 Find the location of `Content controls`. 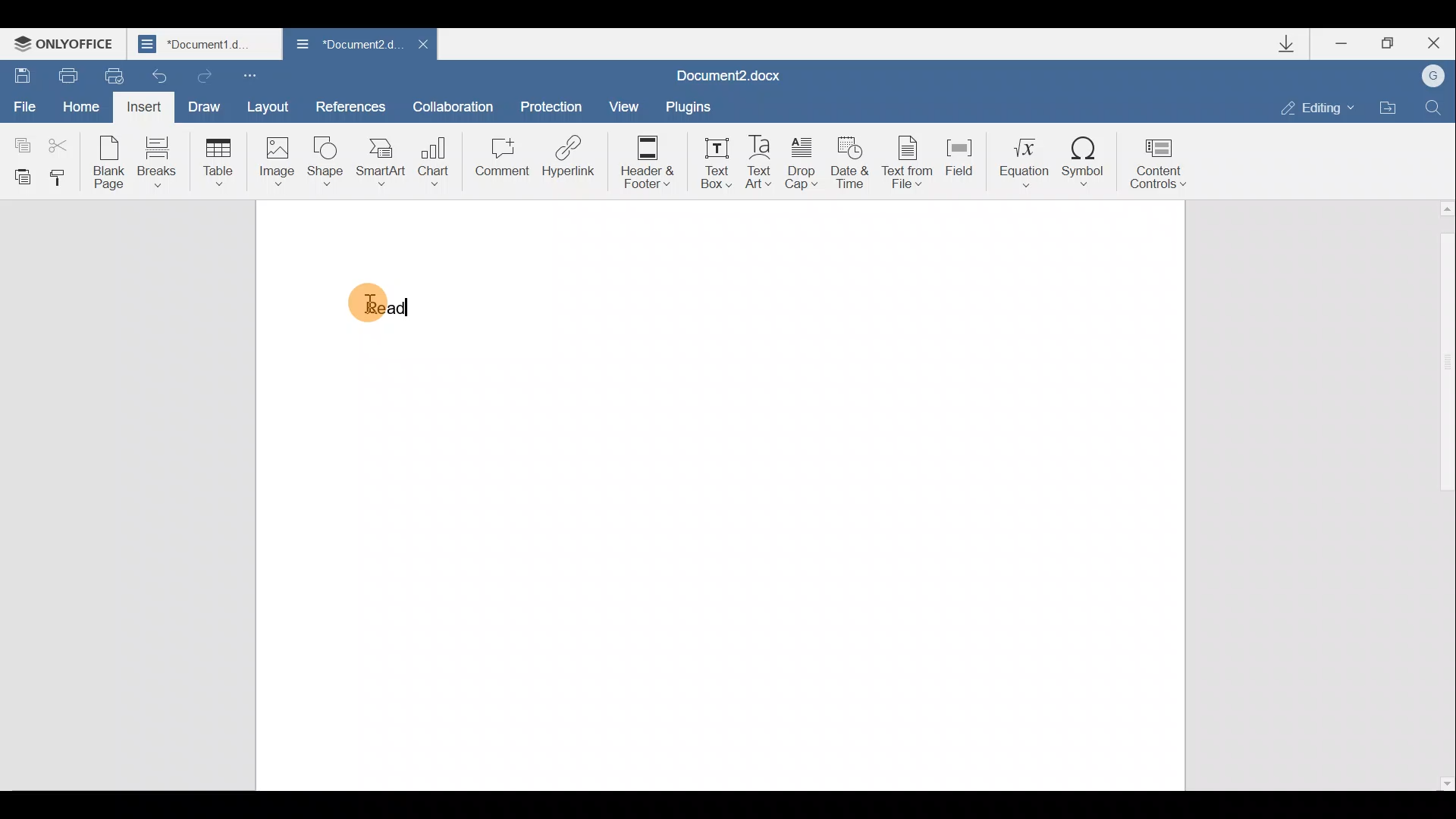

Content controls is located at coordinates (1162, 167).